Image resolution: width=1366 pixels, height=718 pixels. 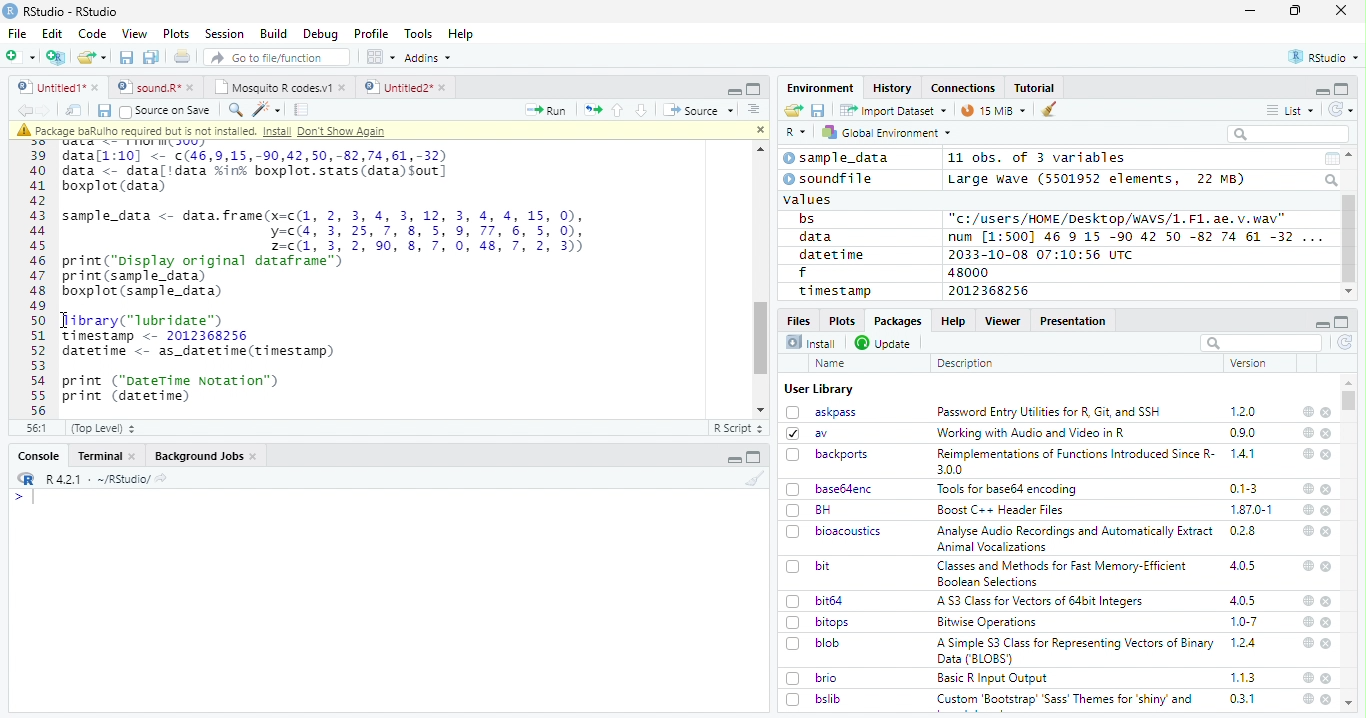 I want to click on find, so click(x=233, y=108).